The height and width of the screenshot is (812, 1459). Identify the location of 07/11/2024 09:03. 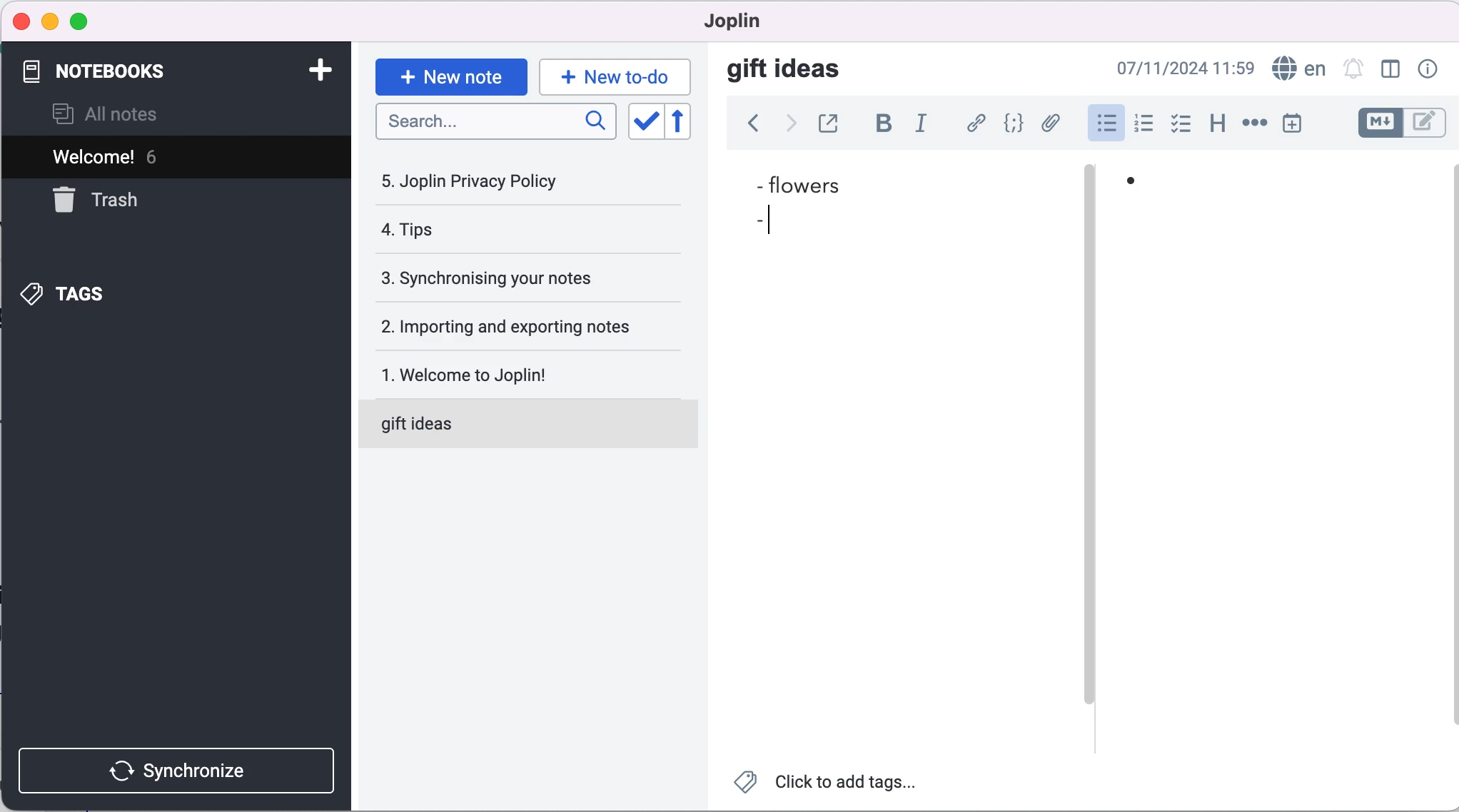
(1171, 69).